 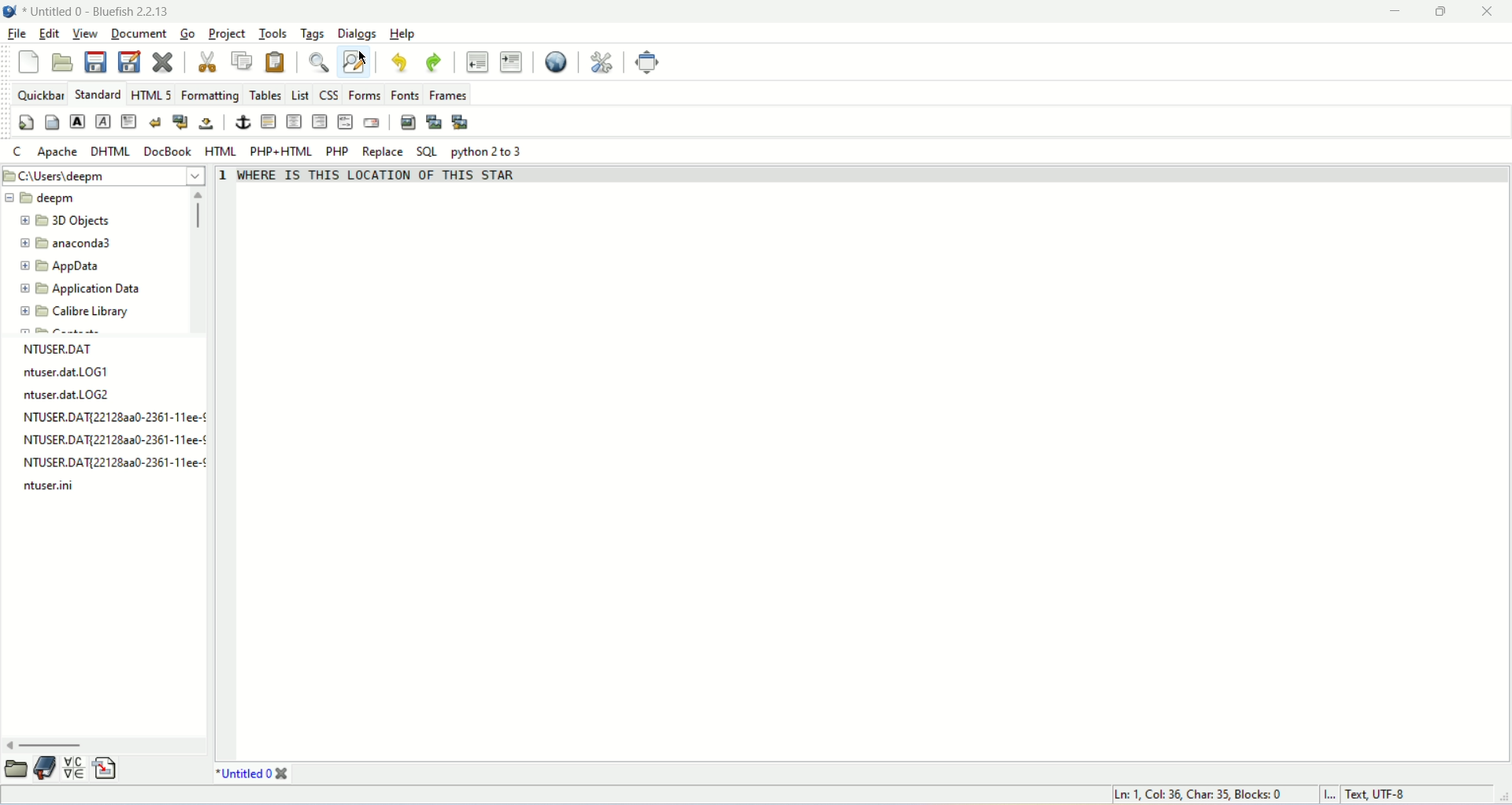 What do you see at coordinates (354, 61) in the screenshot?
I see `find and replace` at bounding box center [354, 61].